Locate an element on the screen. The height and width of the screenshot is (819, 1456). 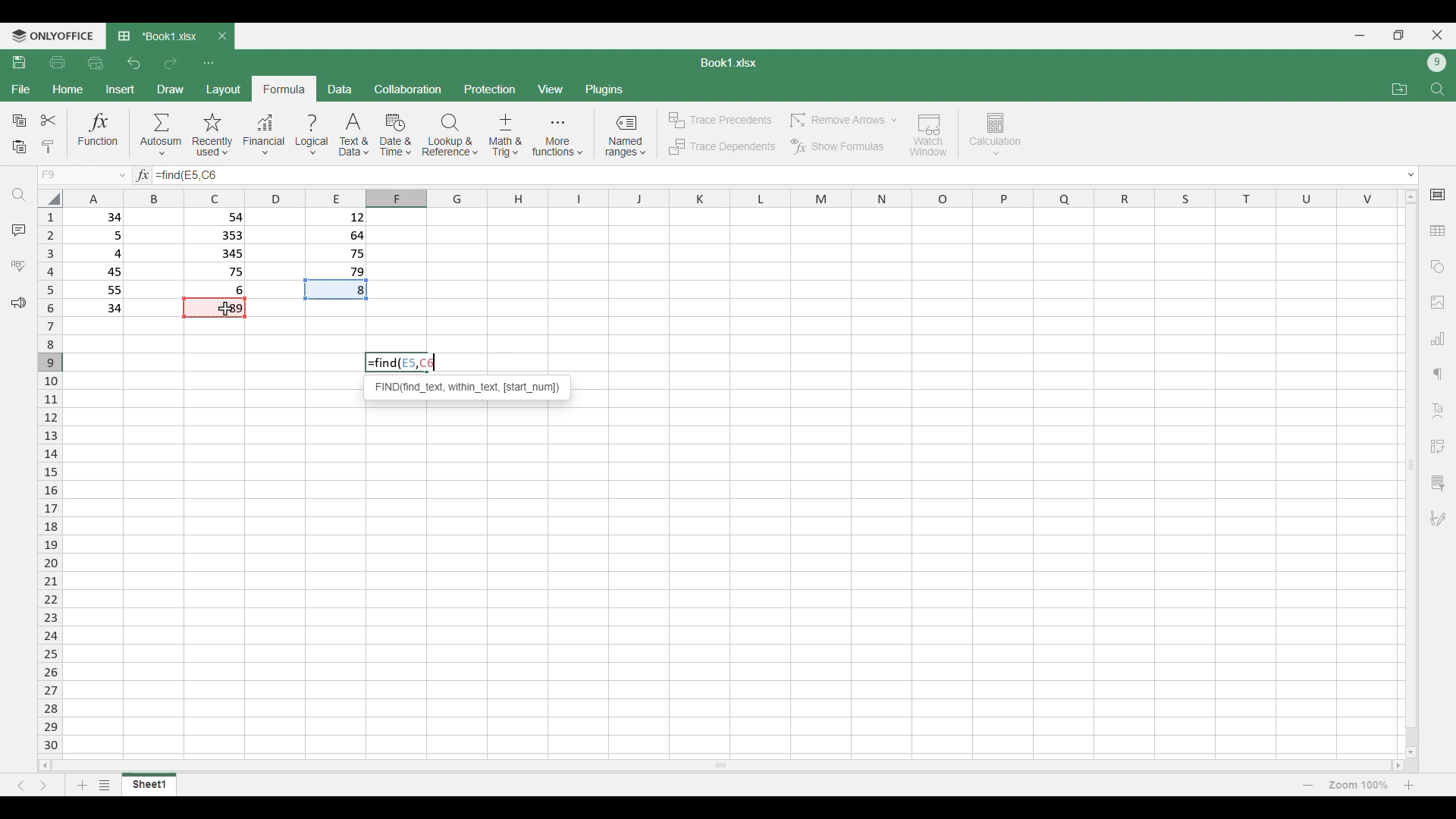
Named ranges is located at coordinates (625, 136).